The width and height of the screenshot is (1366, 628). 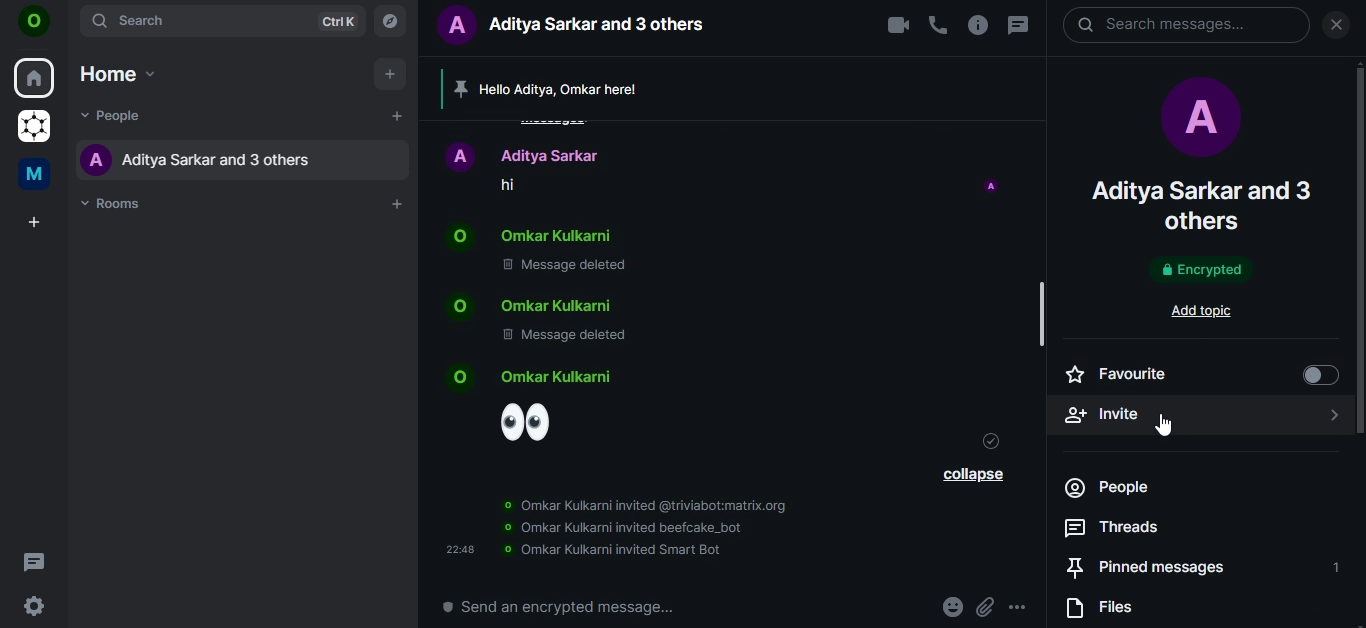 I want to click on  chat messages, so click(x=663, y=169).